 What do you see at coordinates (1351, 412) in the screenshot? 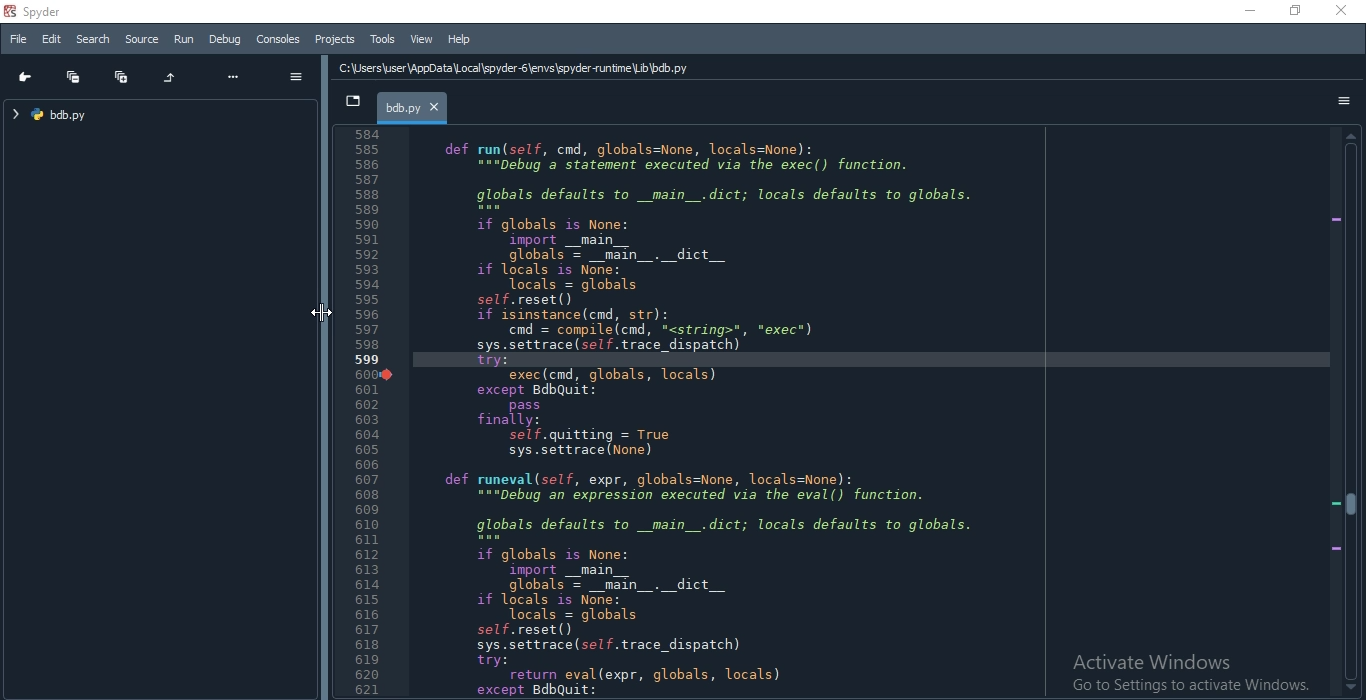
I see `scroll bar` at bounding box center [1351, 412].